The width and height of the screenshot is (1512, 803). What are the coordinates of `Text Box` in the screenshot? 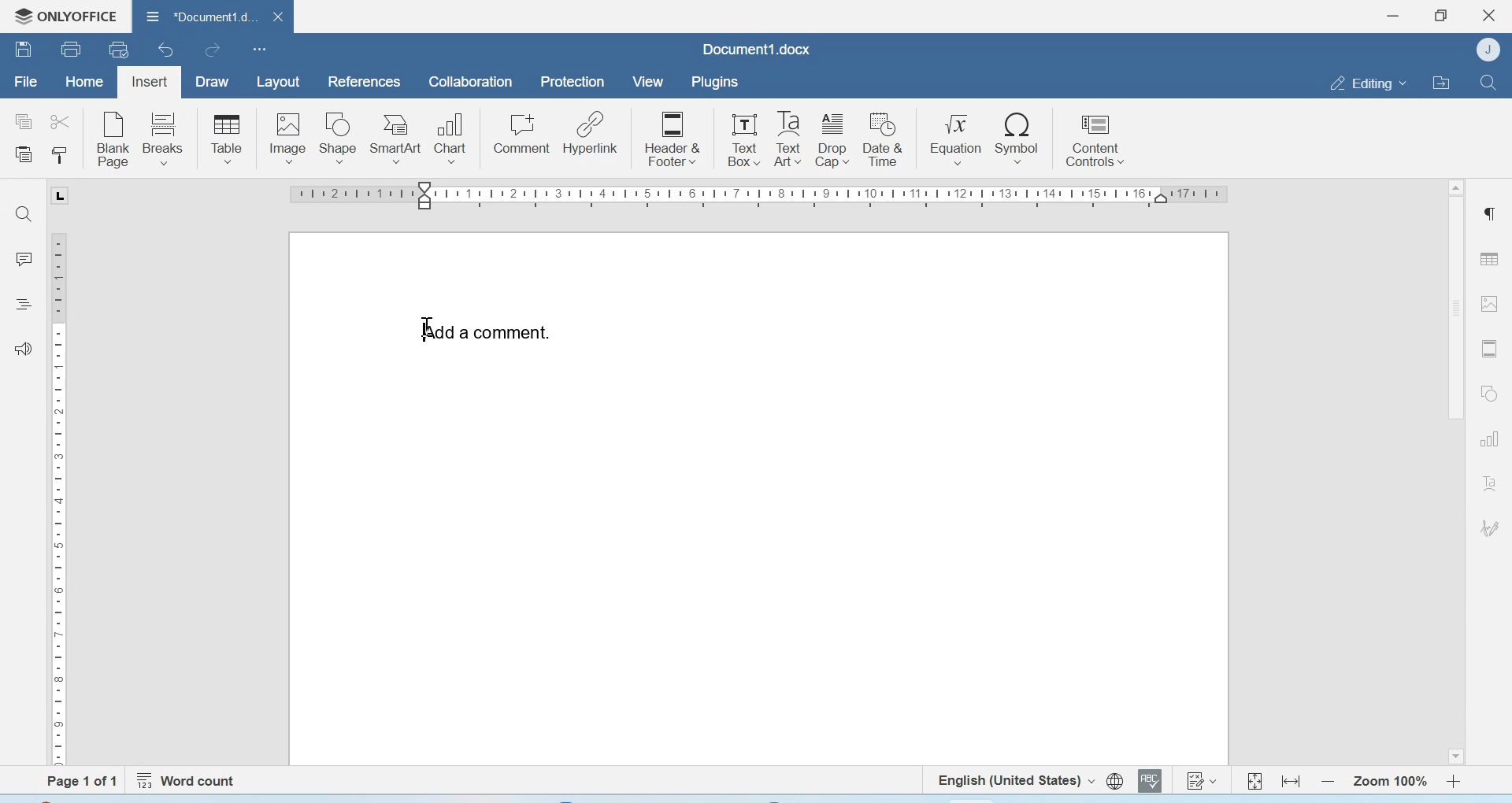 It's located at (740, 139).